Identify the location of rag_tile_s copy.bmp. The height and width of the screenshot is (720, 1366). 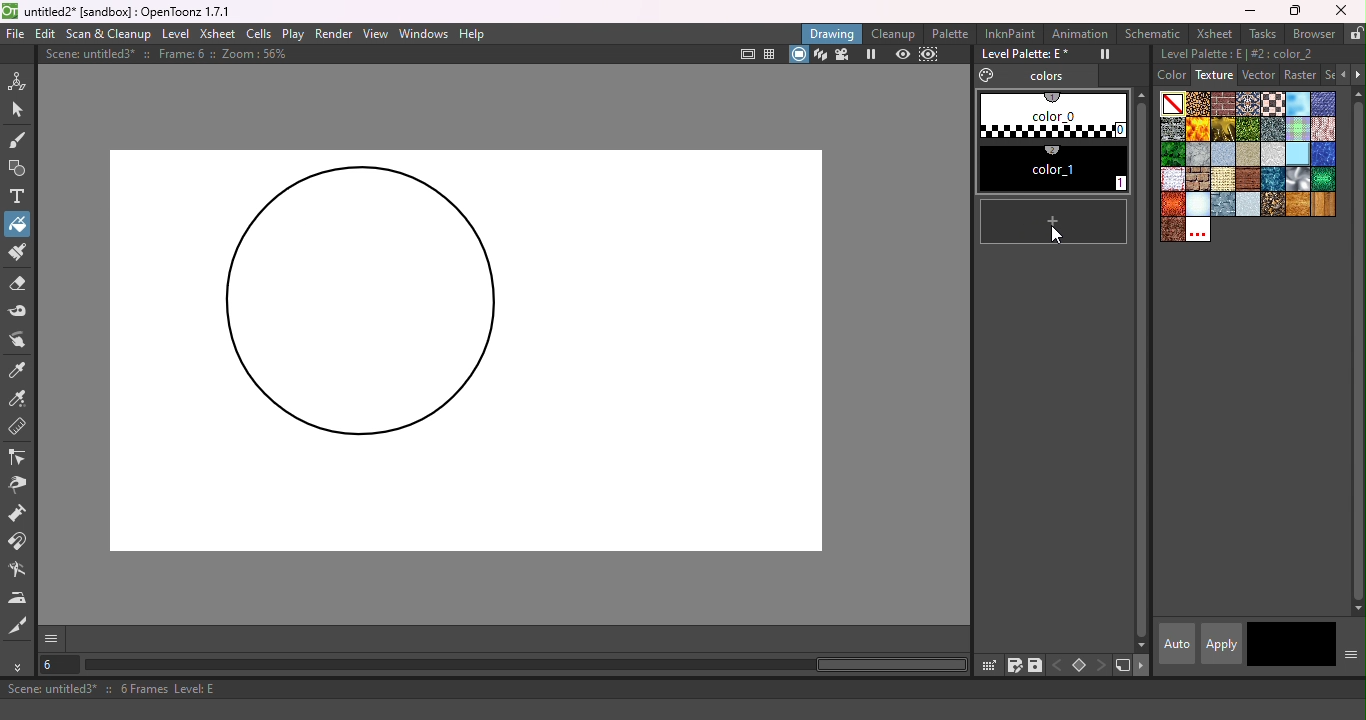
(1172, 180).